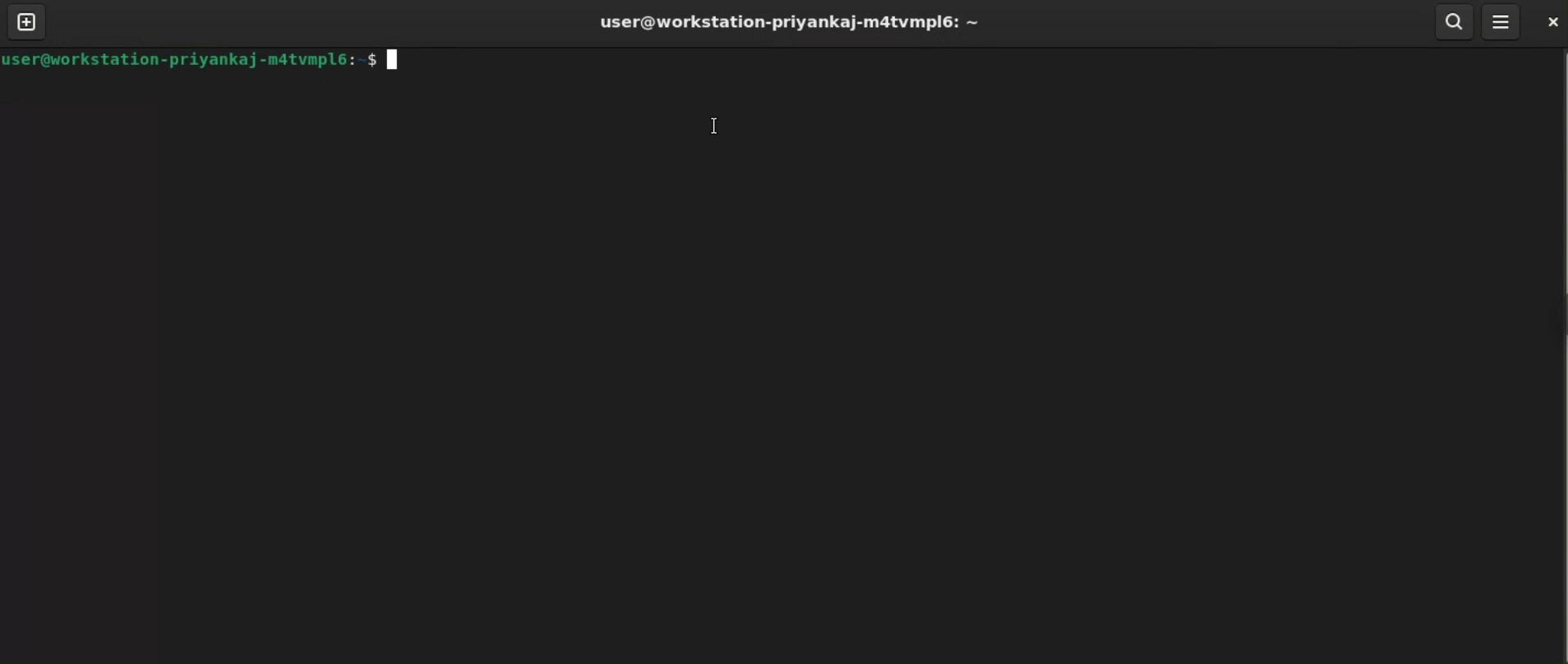 The image size is (1568, 664). I want to click on new tab, so click(27, 21).